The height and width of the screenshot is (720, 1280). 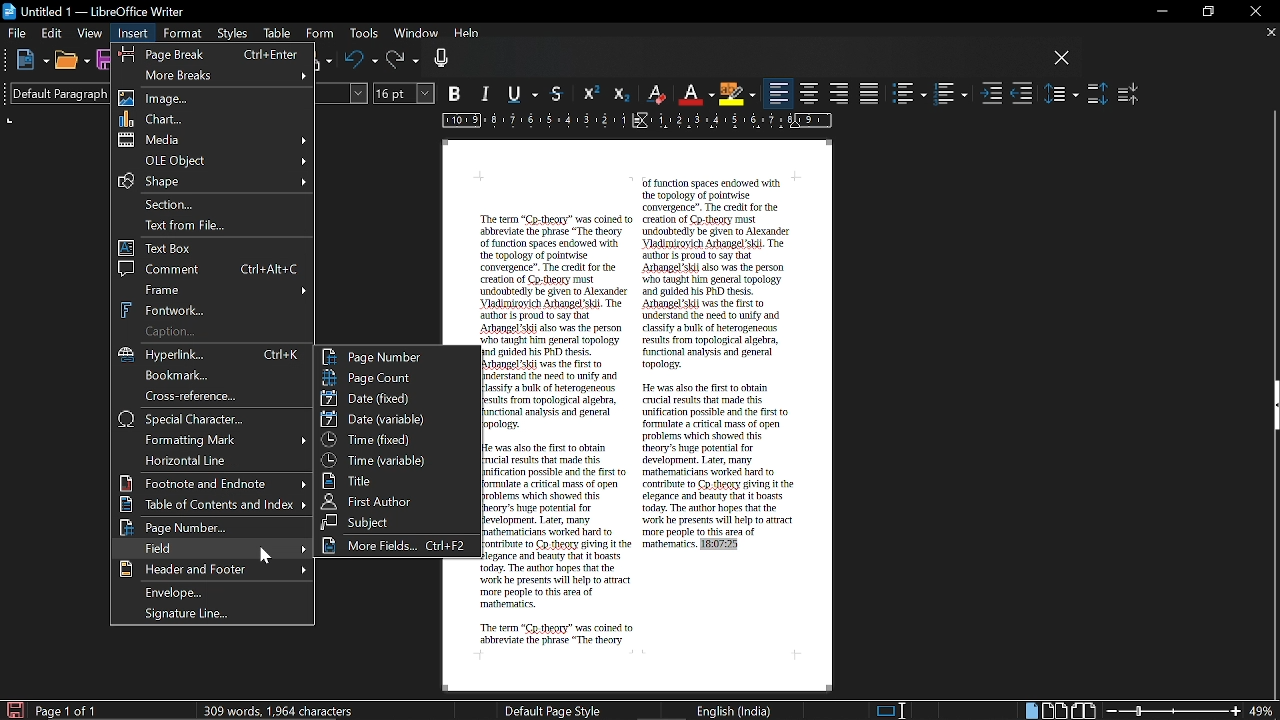 I want to click on Close, so click(x=1254, y=12).